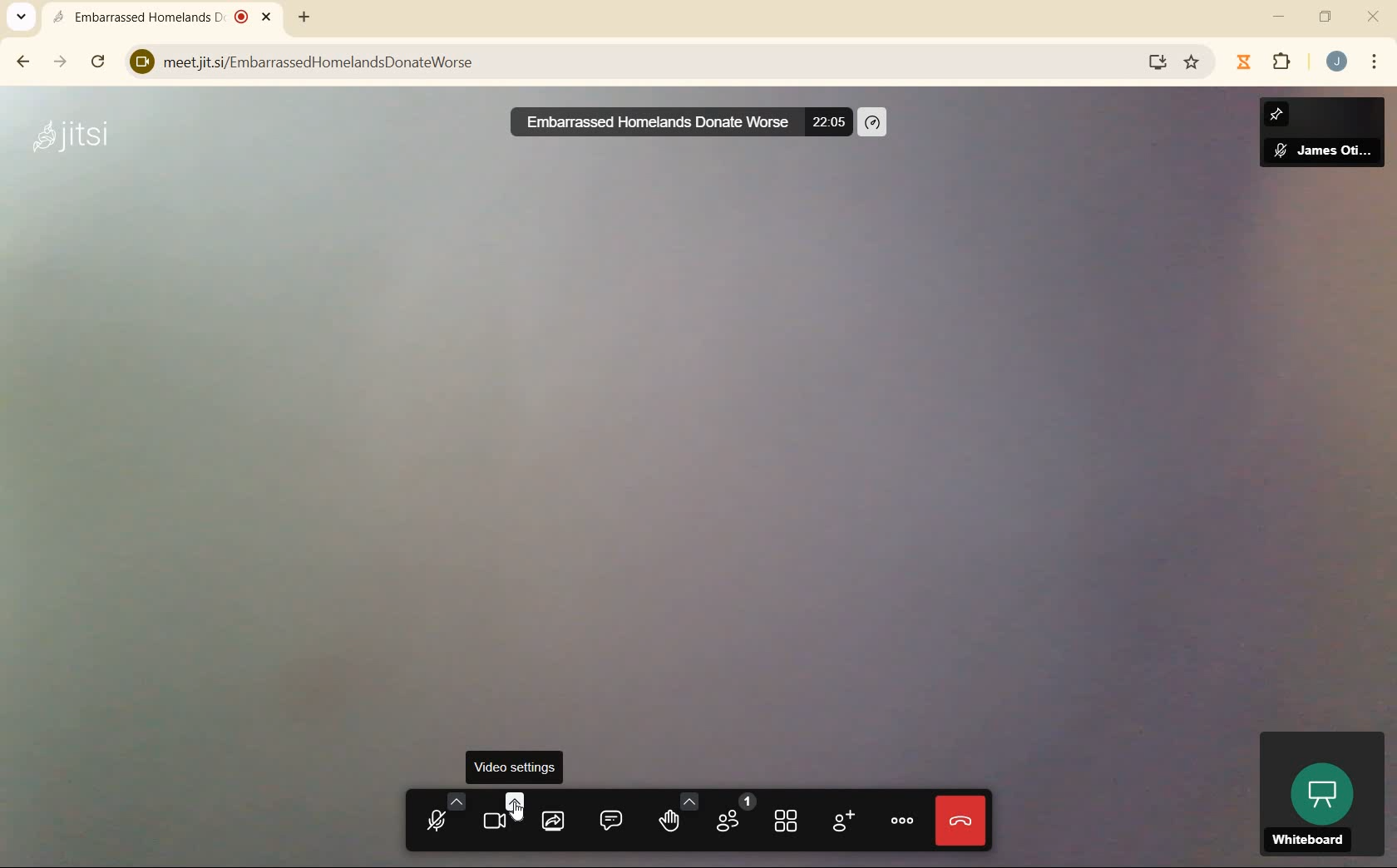  I want to click on raise your hand, so click(673, 814).